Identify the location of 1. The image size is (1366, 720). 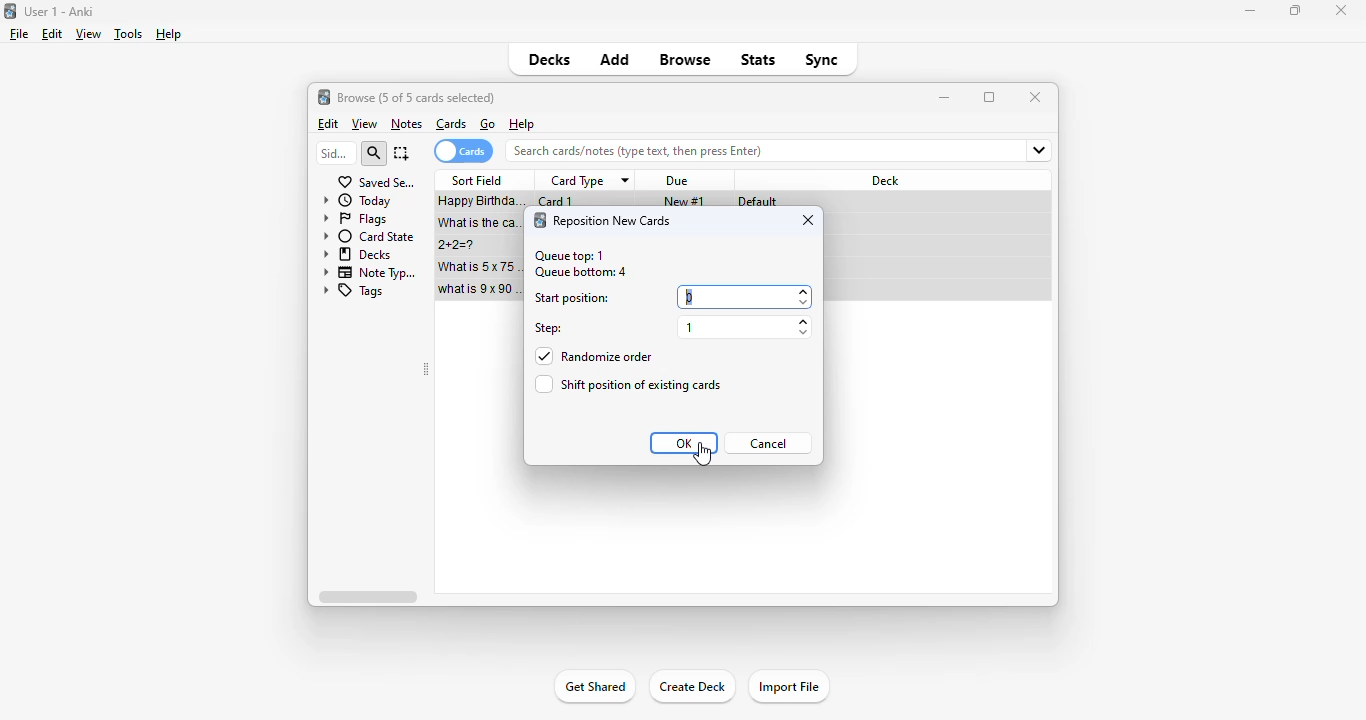
(743, 327).